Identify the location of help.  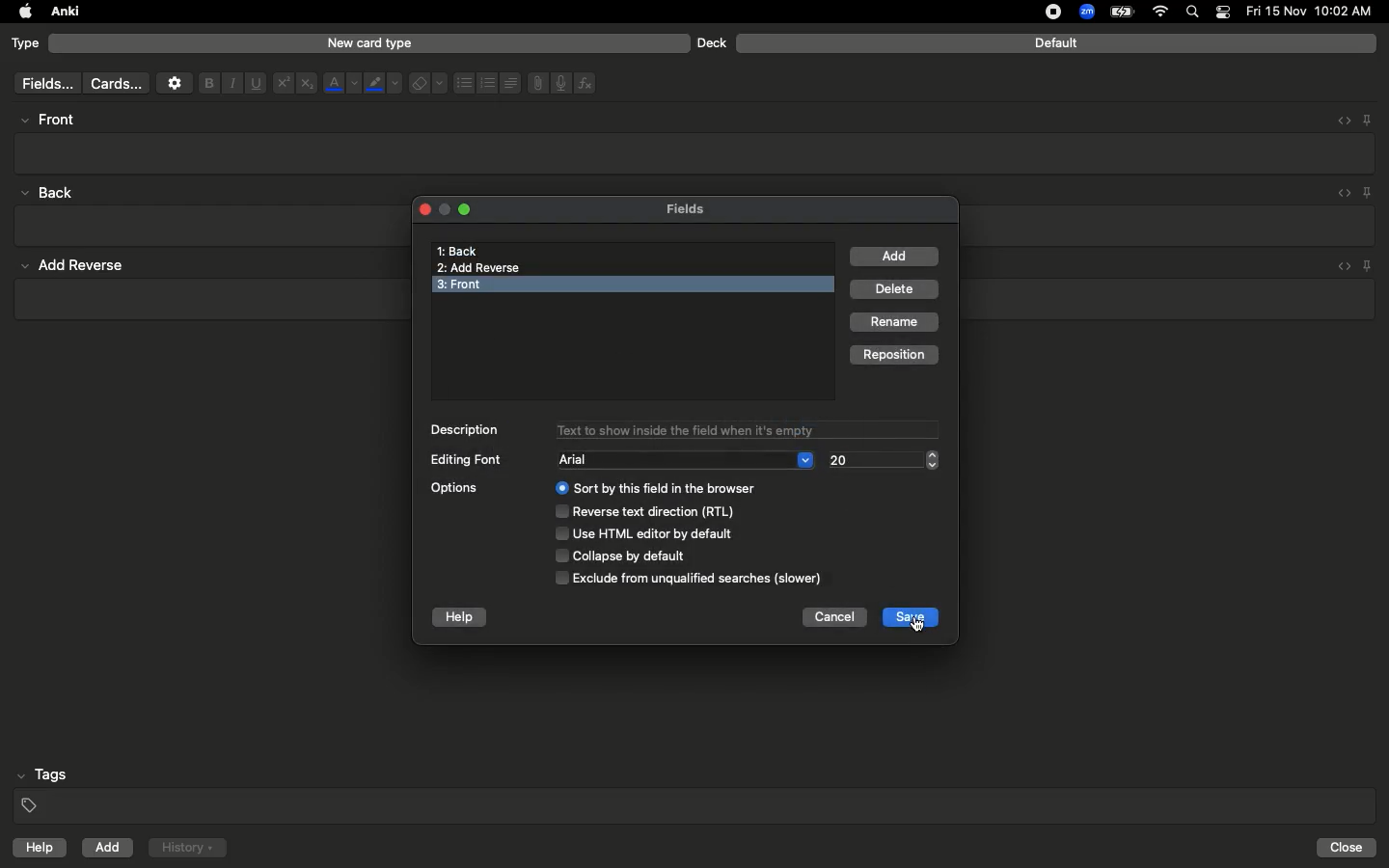
(36, 850).